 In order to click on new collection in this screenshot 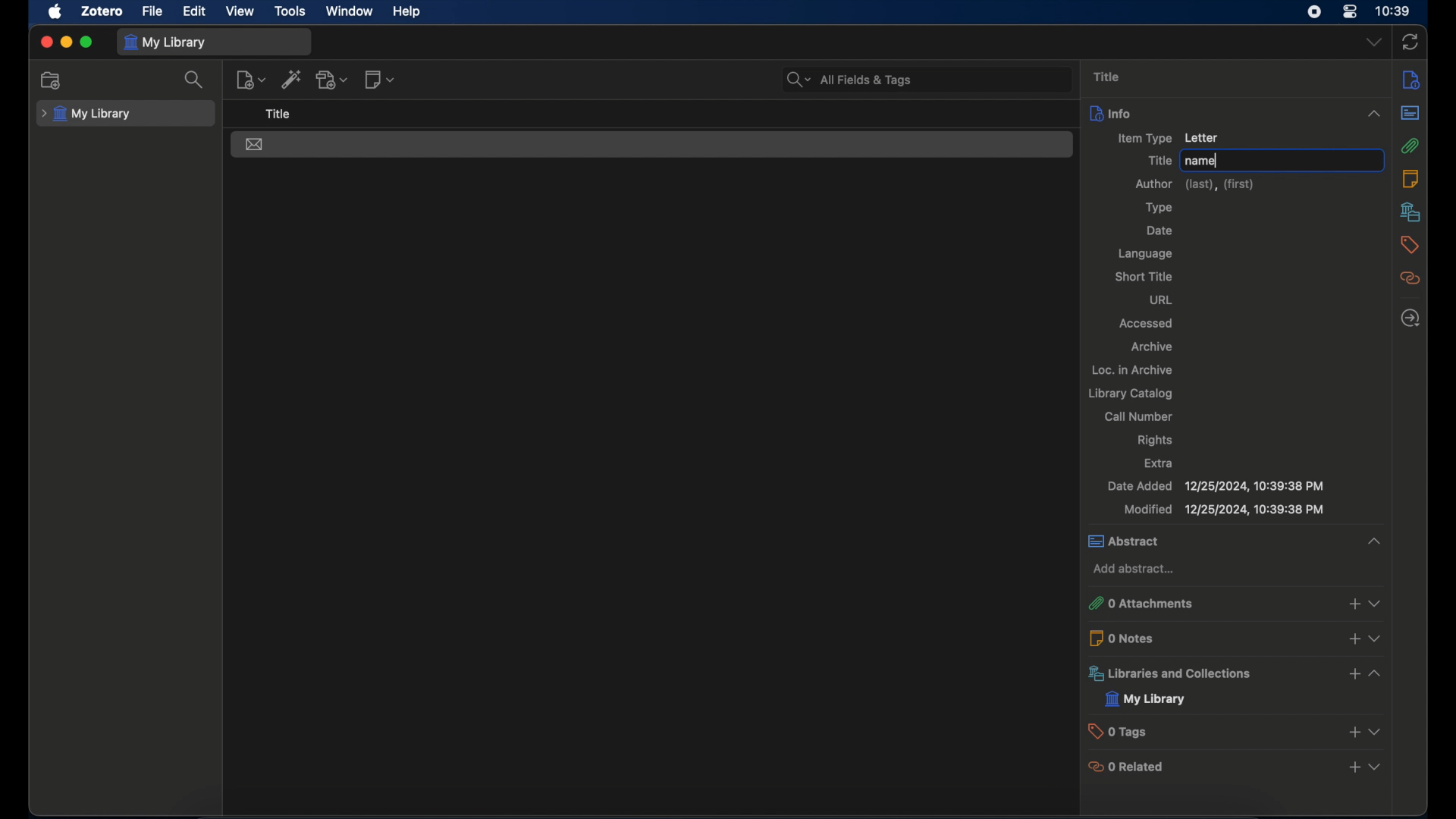, I will do `click(53, 81)`.